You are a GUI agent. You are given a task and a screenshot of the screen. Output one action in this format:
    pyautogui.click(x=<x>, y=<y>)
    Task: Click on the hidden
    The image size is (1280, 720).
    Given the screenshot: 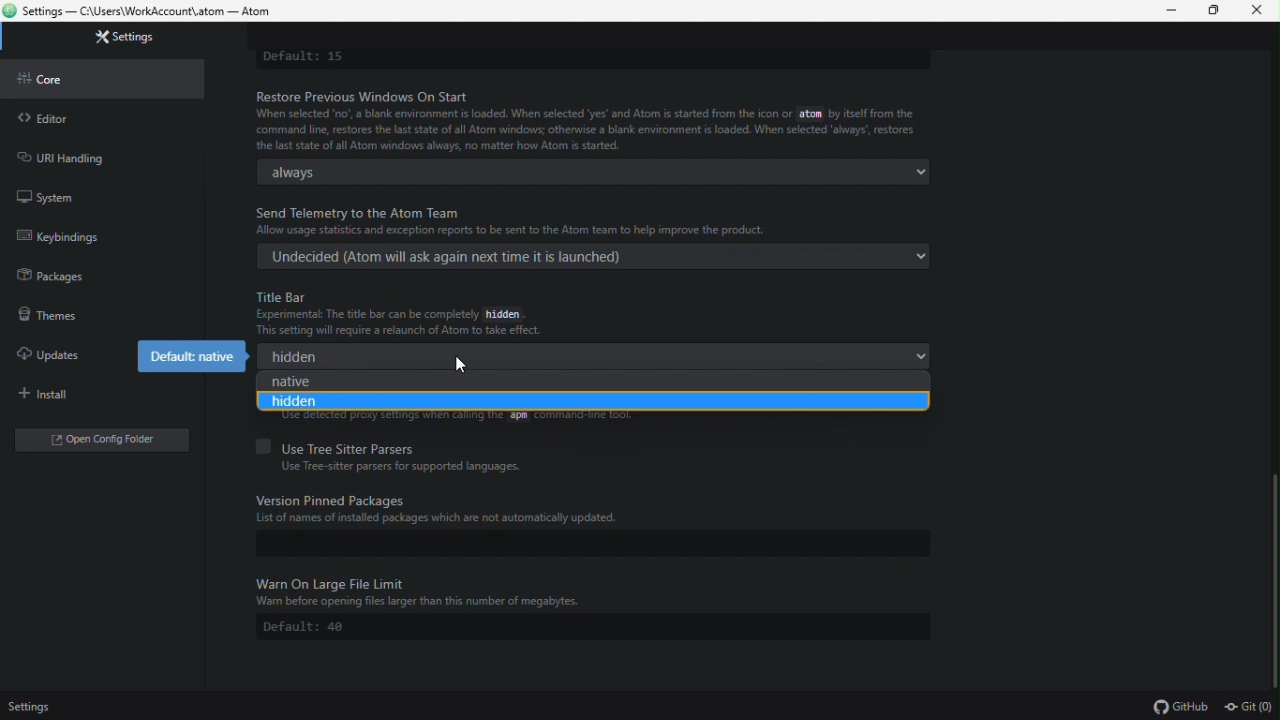 What is the action you would take?
    pyautogui.click(x=588, y=403)
    